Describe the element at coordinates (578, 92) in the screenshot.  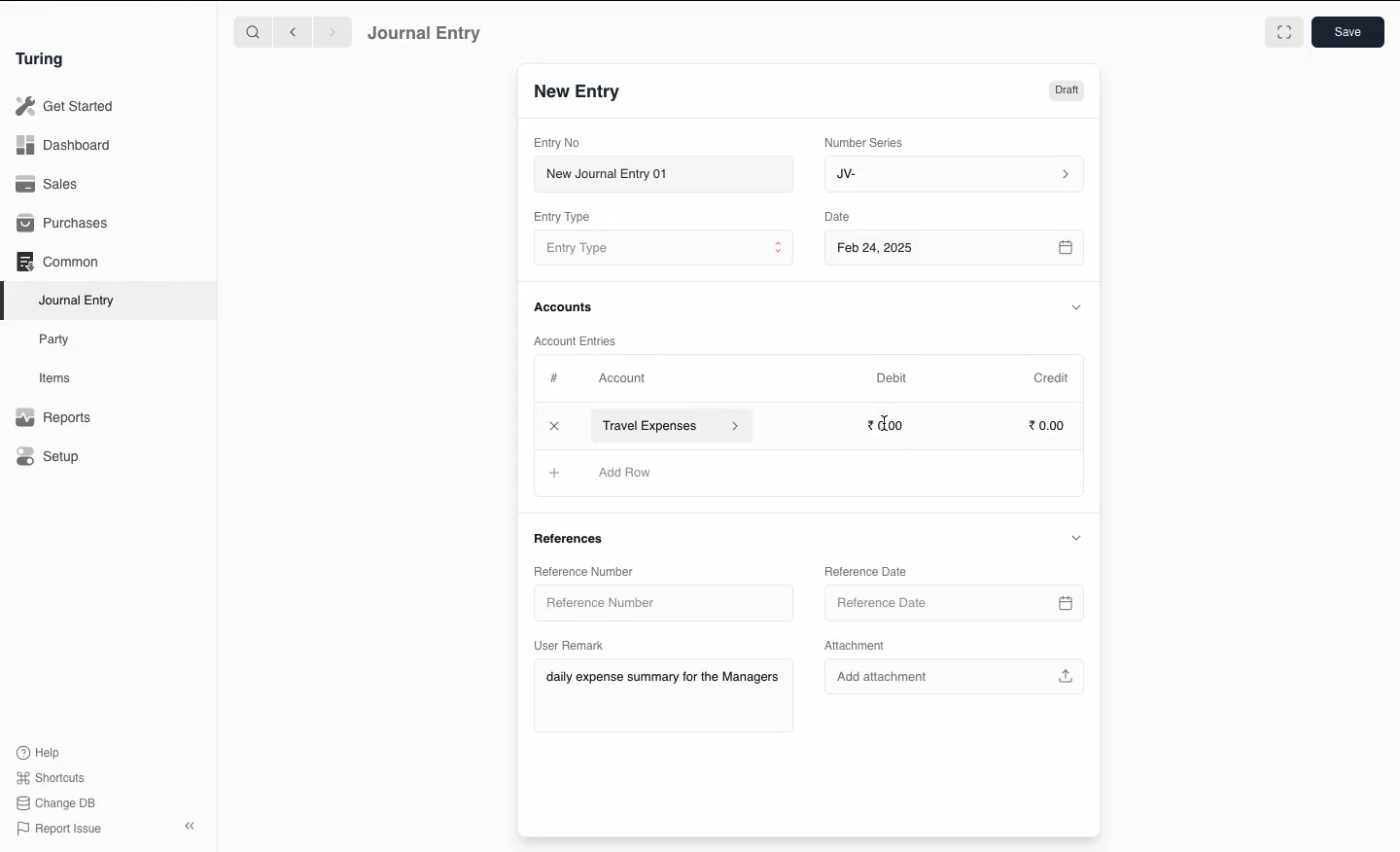
I see `New Entry` at that location.